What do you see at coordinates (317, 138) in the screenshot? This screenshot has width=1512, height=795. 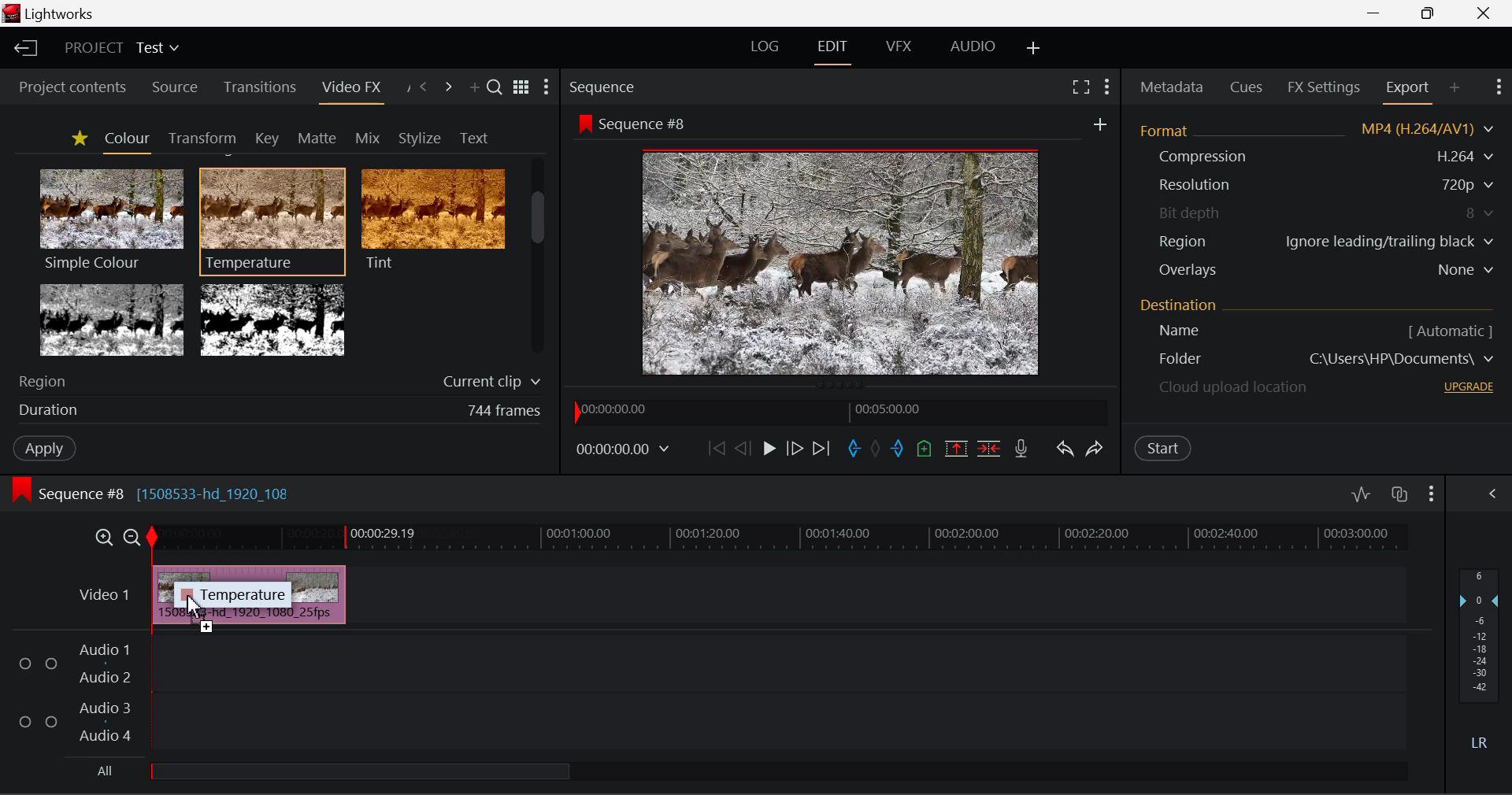 I see `Matte` at bounding box center [317, 138].